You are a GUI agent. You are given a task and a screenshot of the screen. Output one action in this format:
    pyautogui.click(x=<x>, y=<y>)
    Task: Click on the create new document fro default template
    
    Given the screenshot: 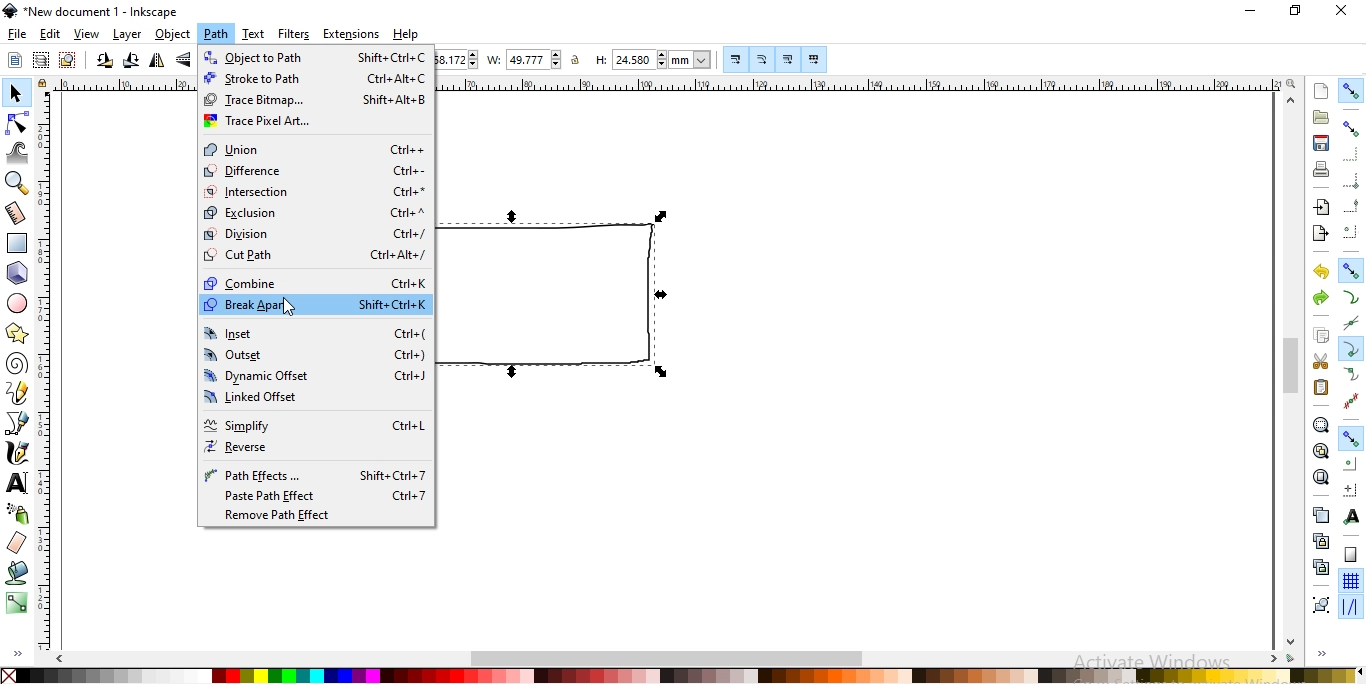 What is the action you would take?
    pyautogui.click(x=1320, y=92)
    